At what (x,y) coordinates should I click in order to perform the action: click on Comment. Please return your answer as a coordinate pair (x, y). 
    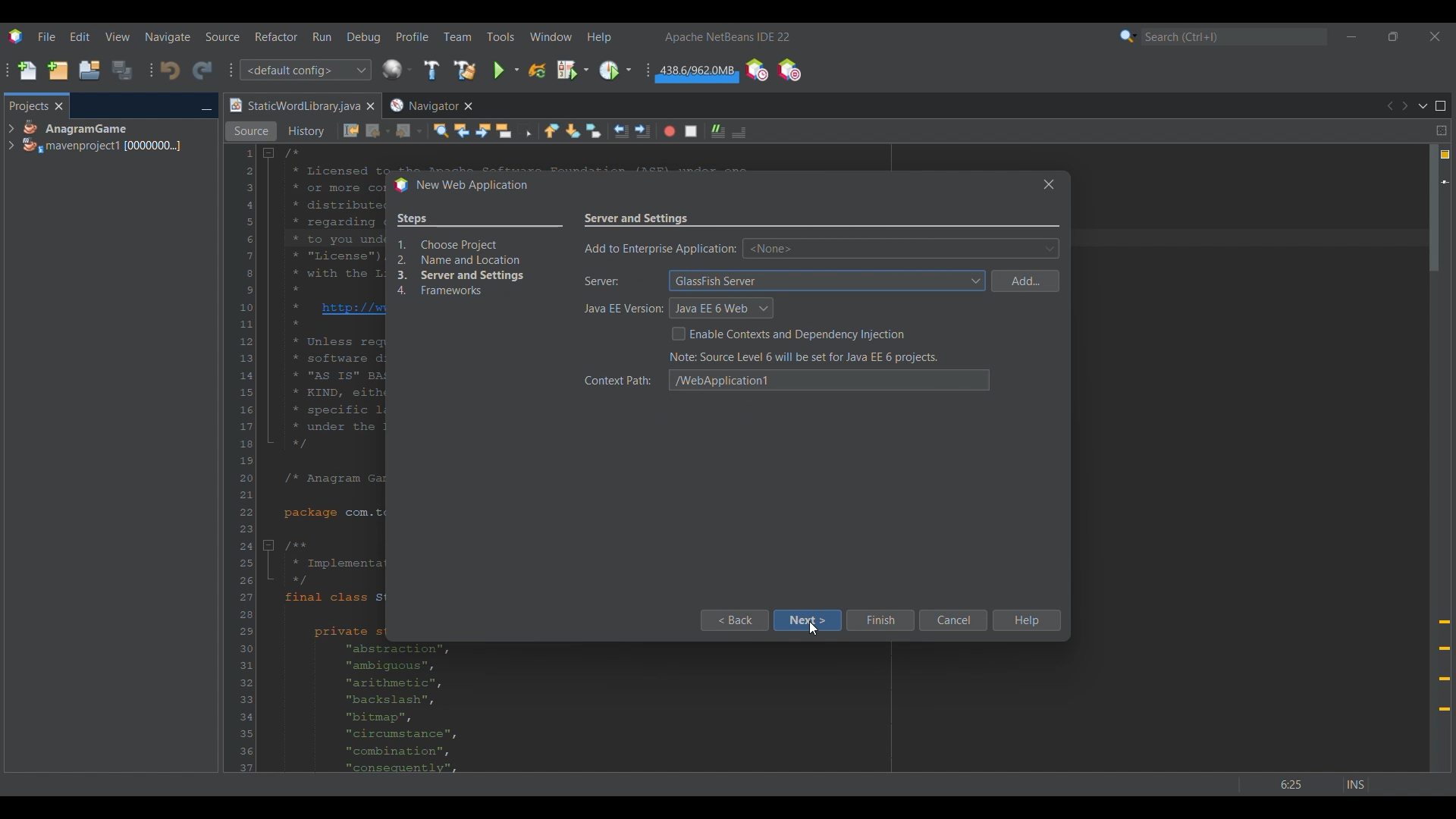
    Looking at the image, I should click on (739, 132).